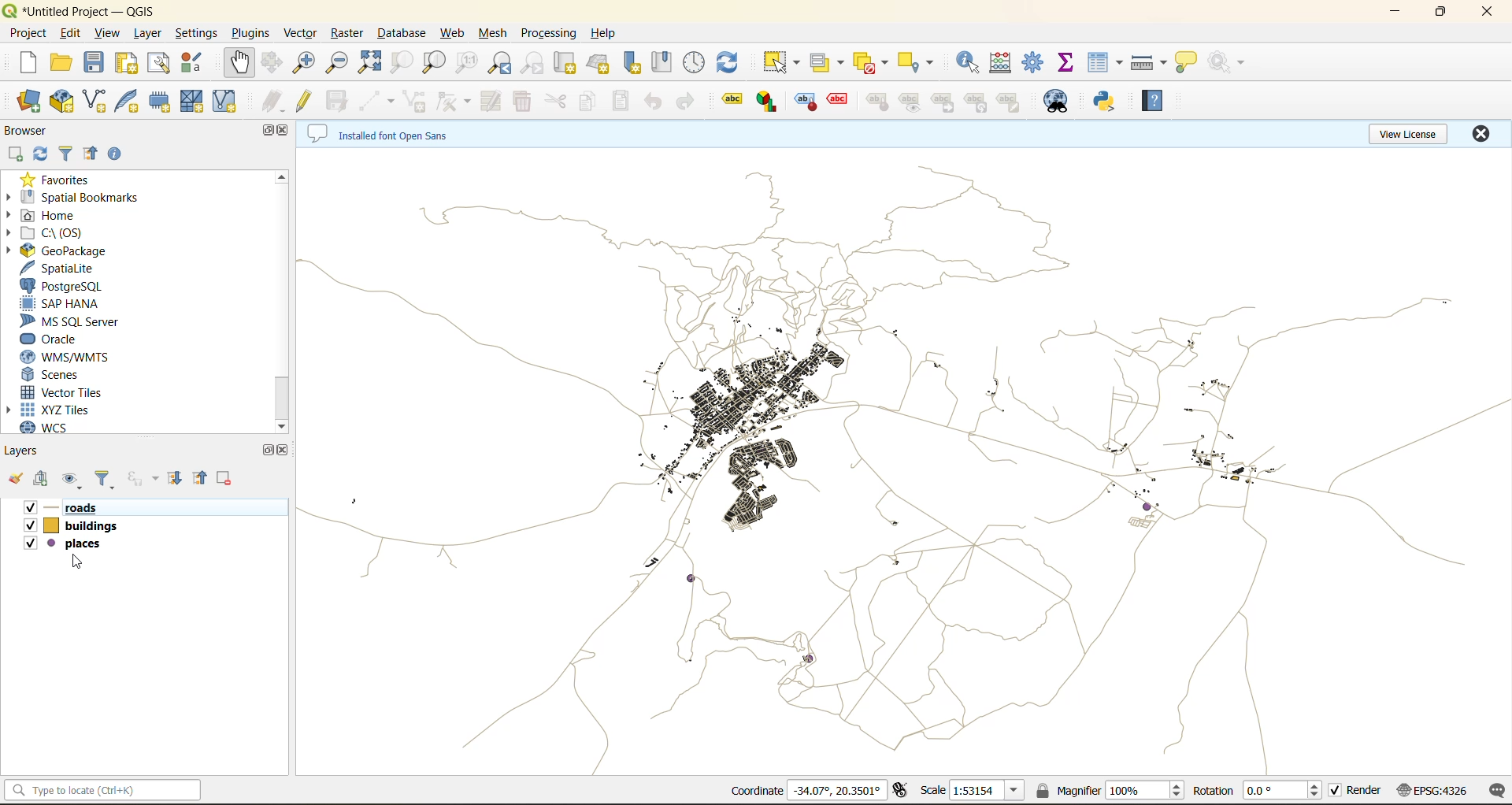 The height and width of the screenshot is (805, 1512). What do you see at coordinates (87, 199) in the screenshot?
I see `spatial bookmarks` at bounding box center [87, 199].